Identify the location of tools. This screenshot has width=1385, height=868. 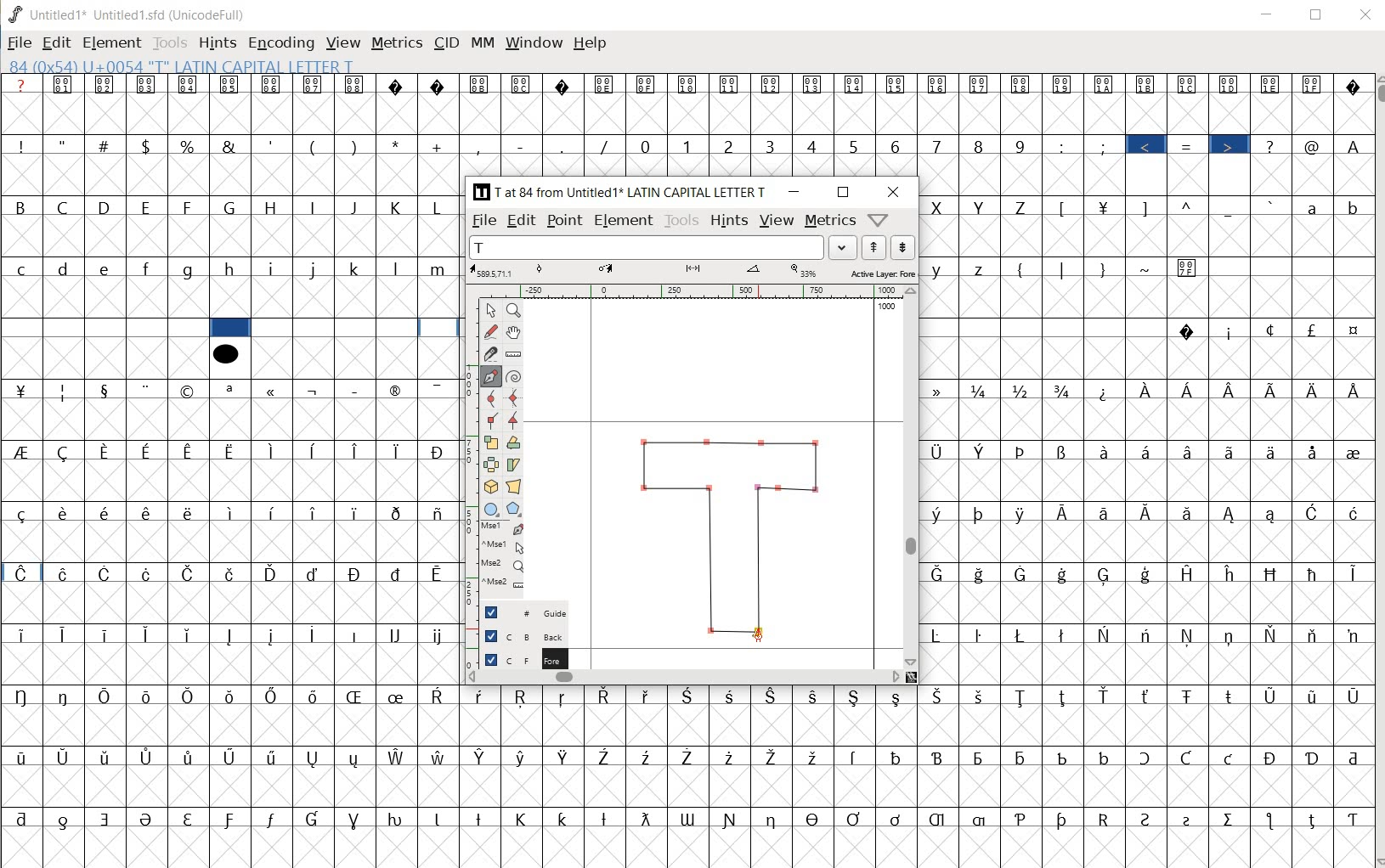
(681, 220).